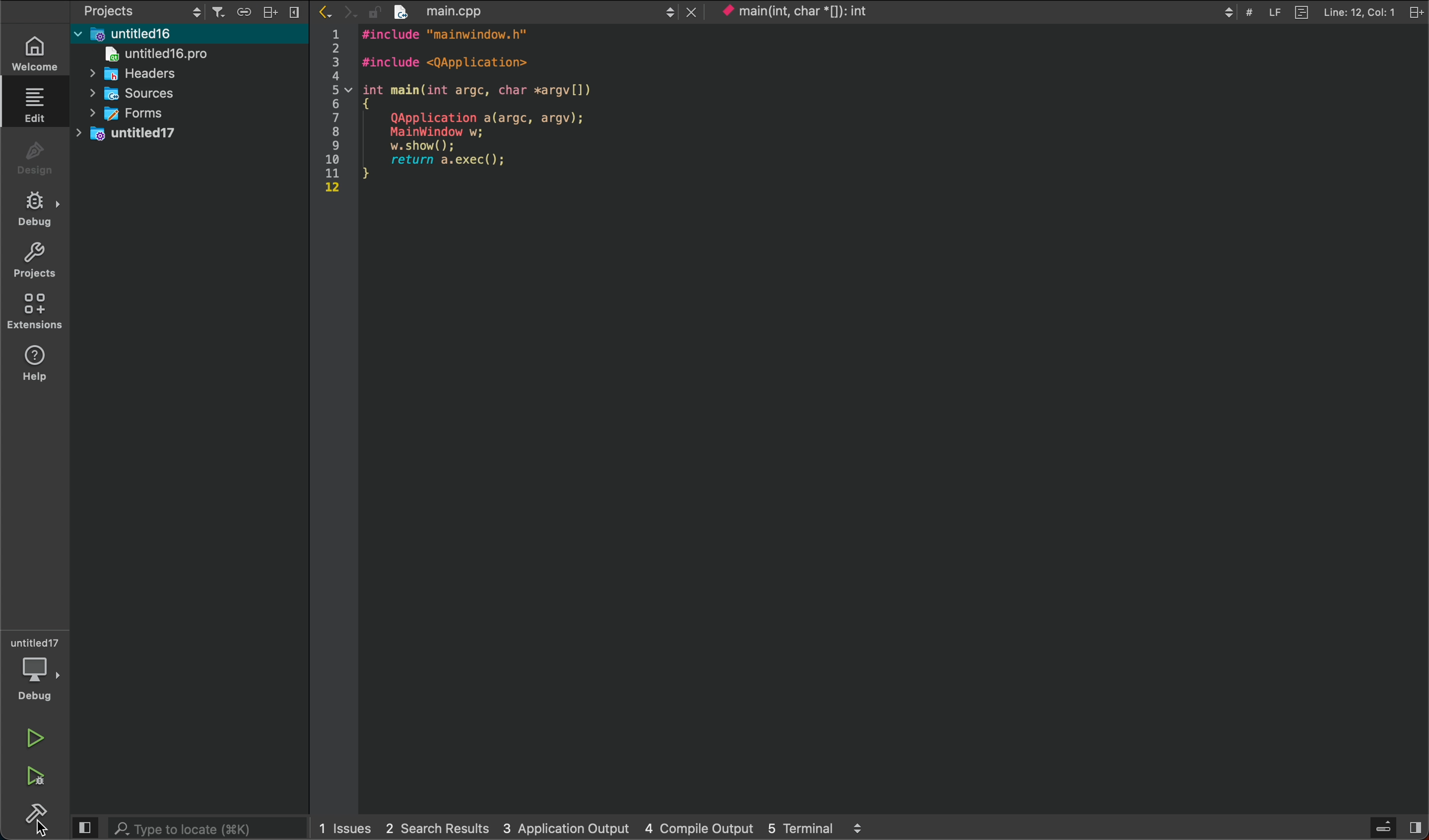  What do you see at coordinates (1359, 12) in the screenshot?
I see `Line : 12, Col: 1` at bounding box center [1359, 12].